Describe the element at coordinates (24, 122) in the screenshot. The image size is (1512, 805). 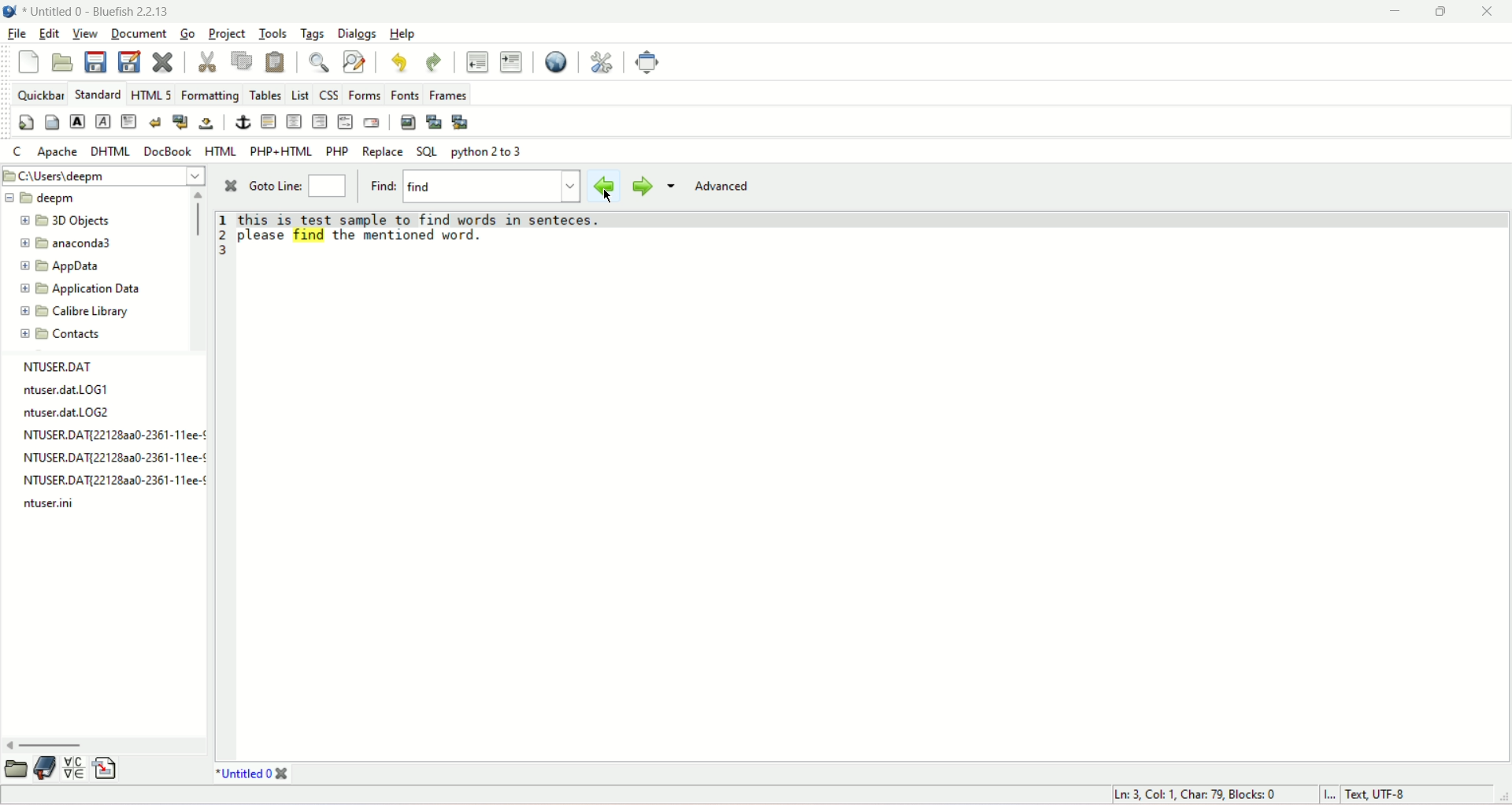
I see `quickstart` at that location.